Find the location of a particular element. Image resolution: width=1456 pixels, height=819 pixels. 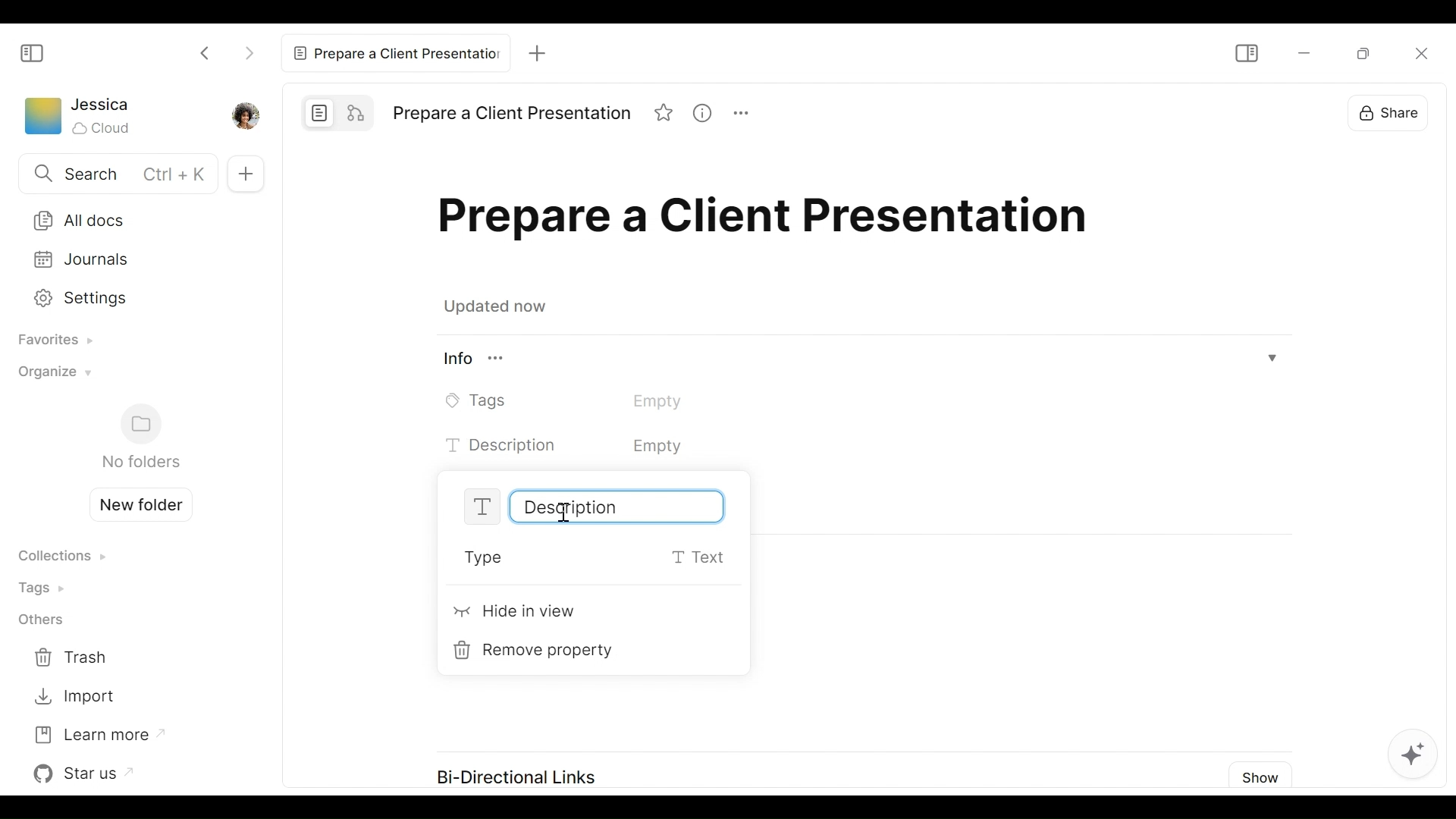

Favorite is located at coordinates (665, 115).